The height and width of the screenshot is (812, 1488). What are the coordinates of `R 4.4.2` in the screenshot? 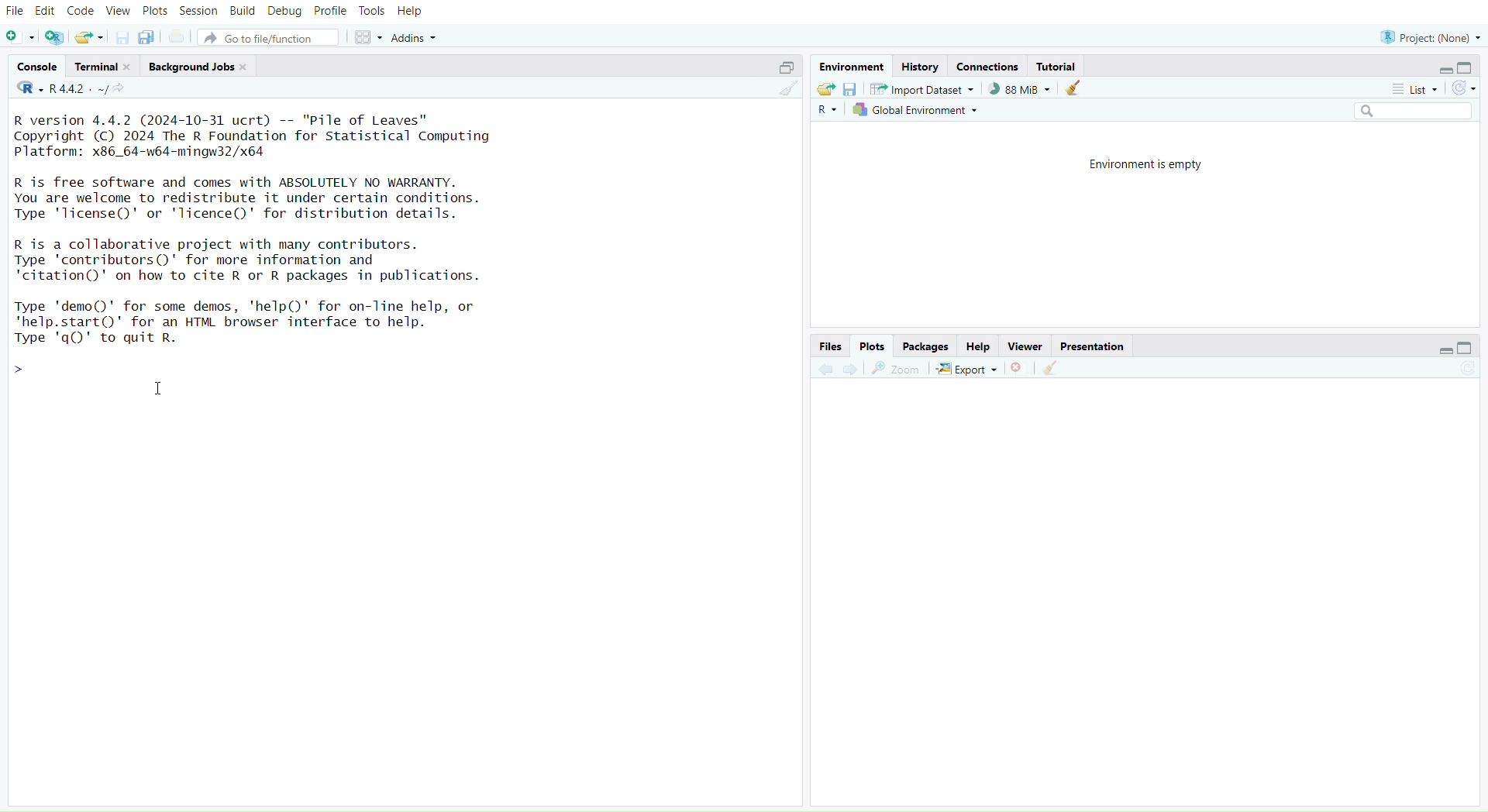 It's located at (63, 89).